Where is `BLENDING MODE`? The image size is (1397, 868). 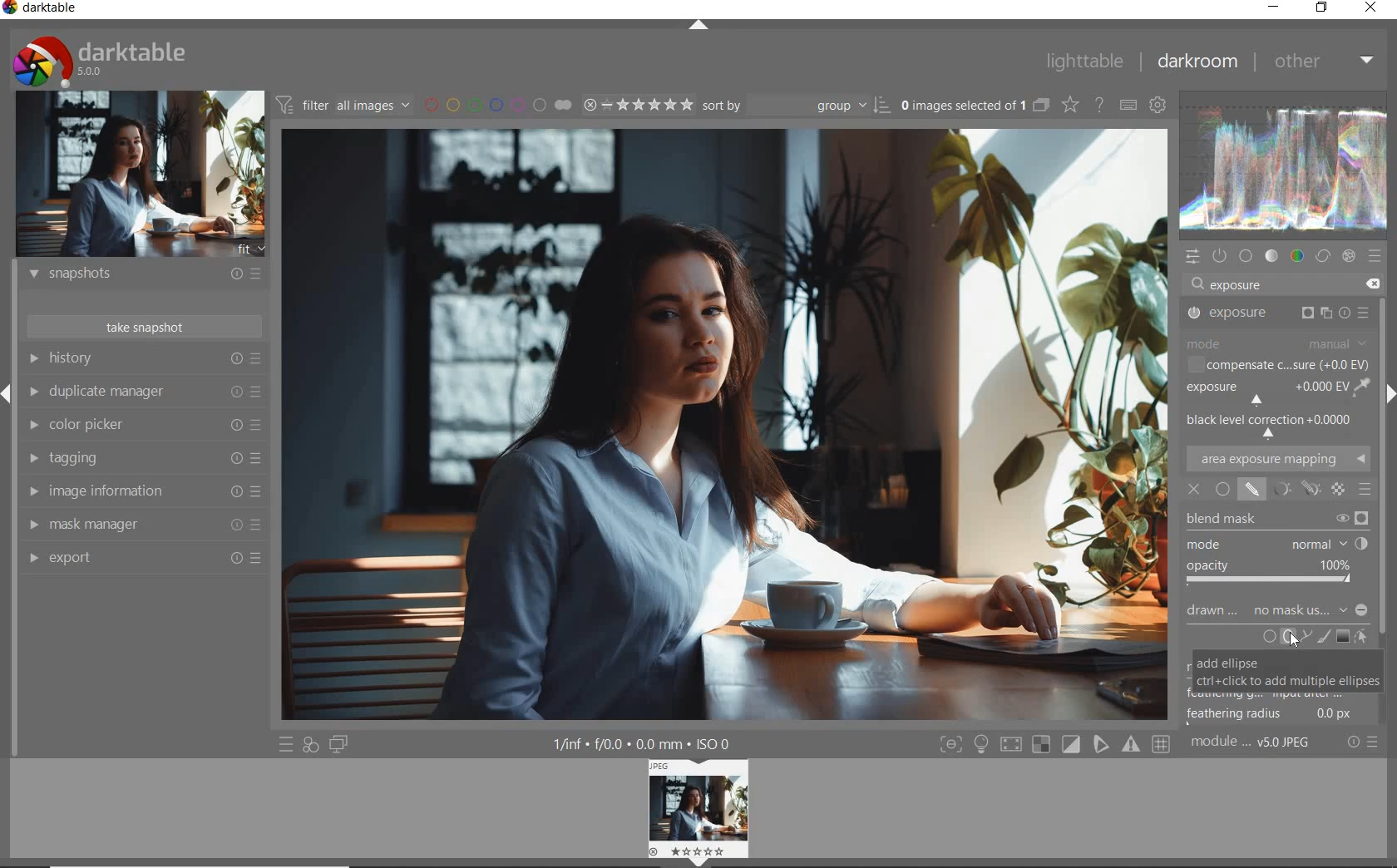
BLENDING MODE is located at coordinates (1365, 491).